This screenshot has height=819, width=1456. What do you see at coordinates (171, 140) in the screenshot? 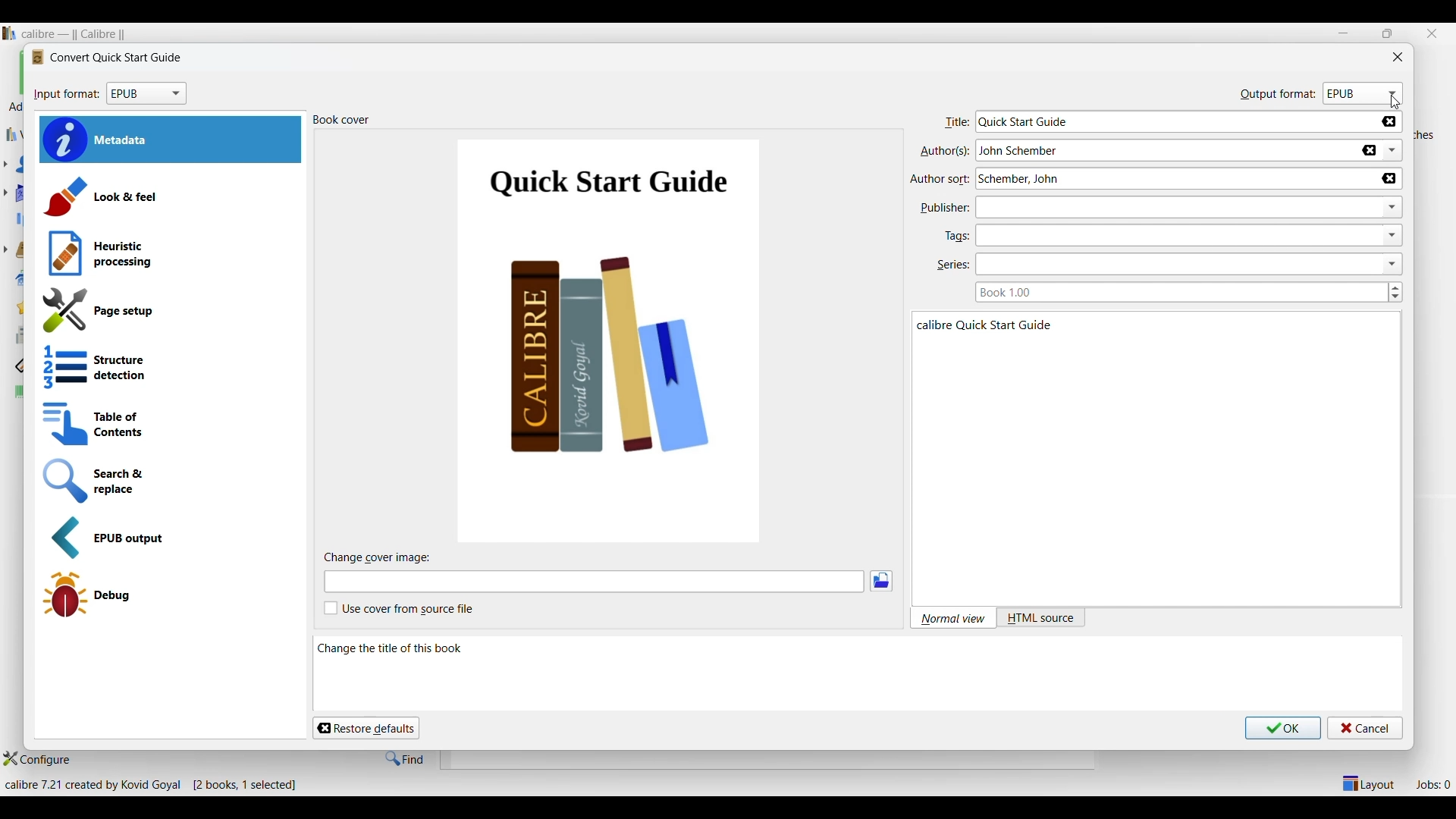
I see `Metadata` at bounding box center [171, 140].